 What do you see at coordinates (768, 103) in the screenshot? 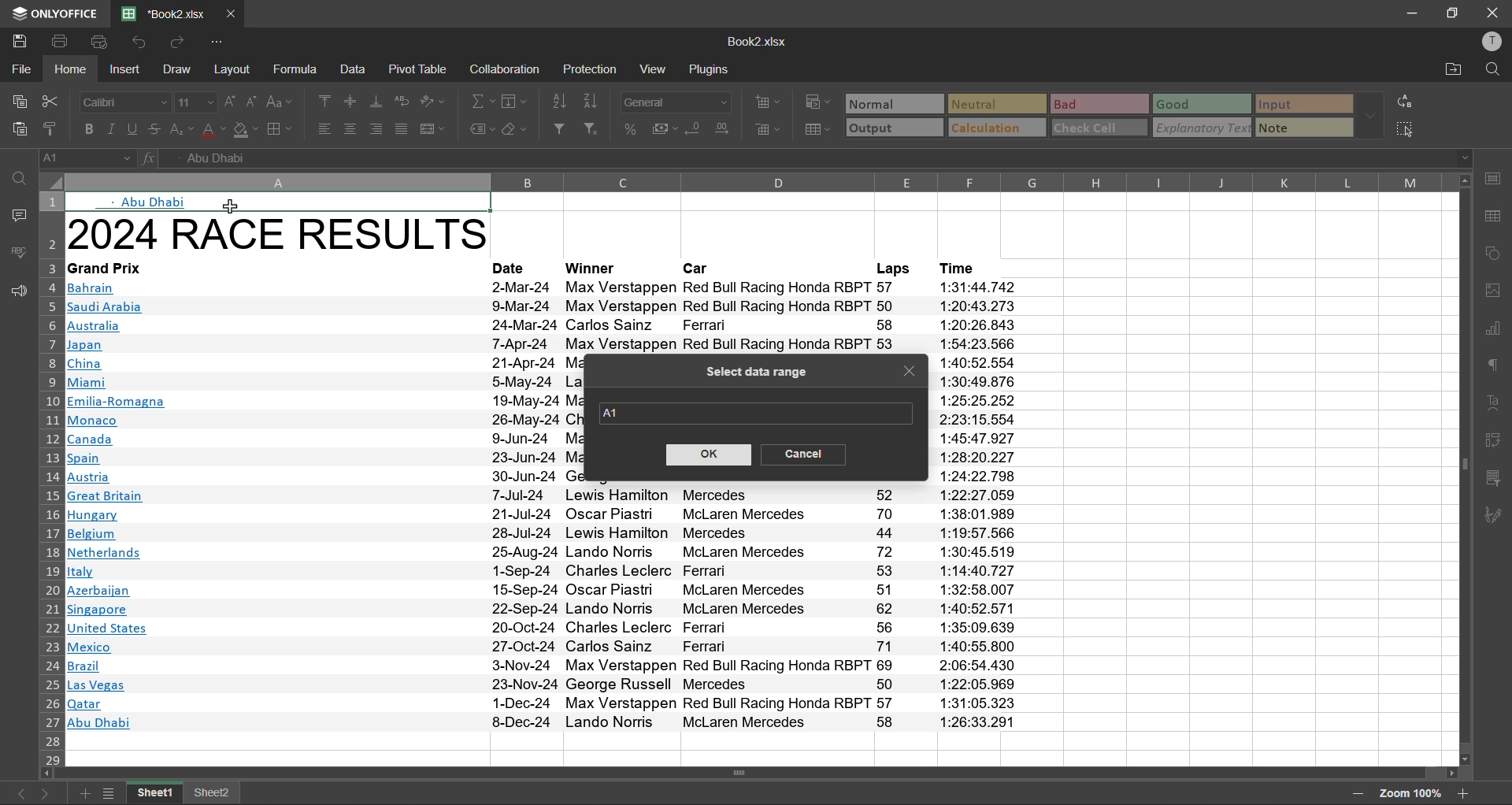
I see `insert cells` at bounding box center [768, 103].